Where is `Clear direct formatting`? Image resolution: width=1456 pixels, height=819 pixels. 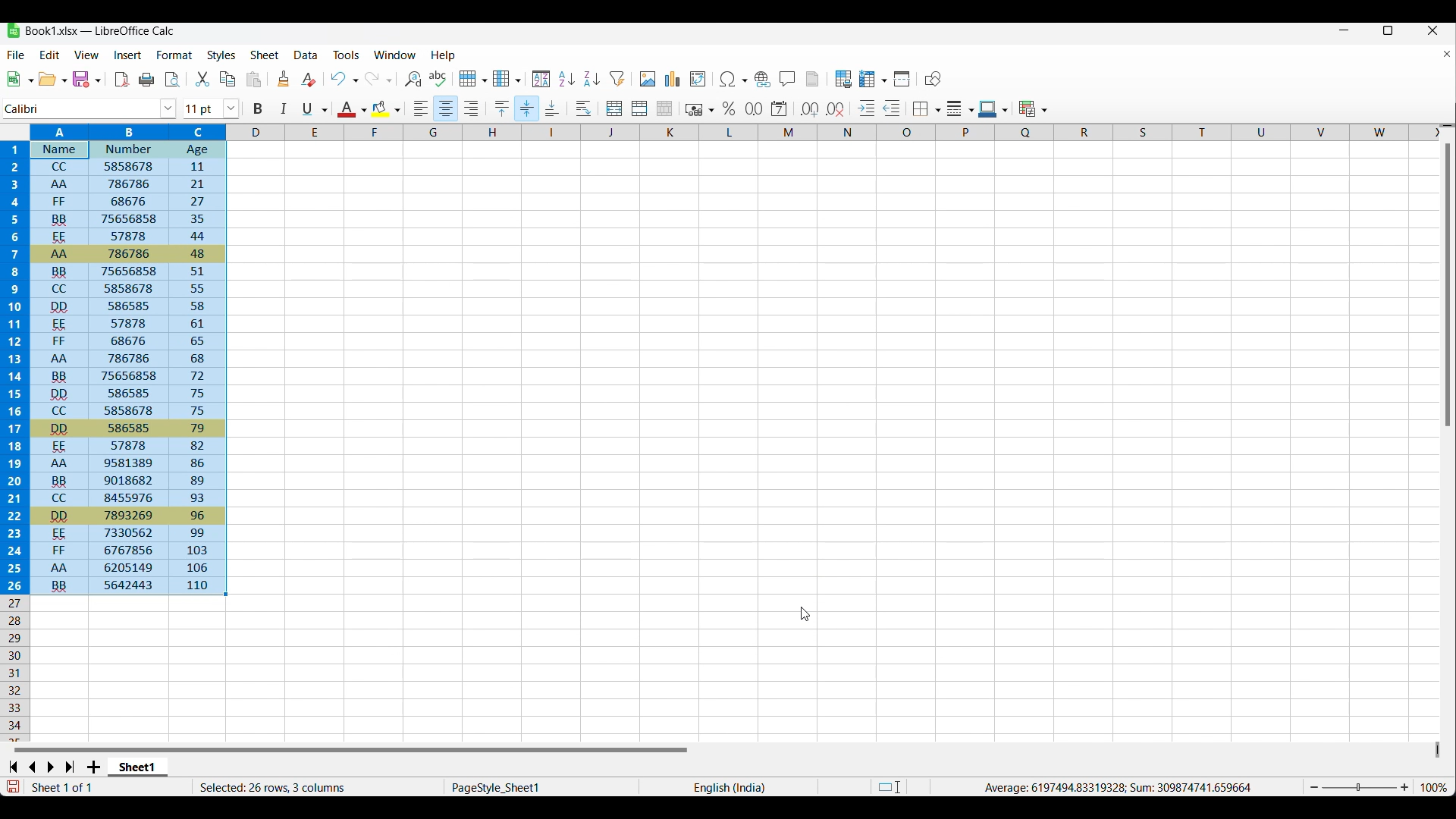
Clear direct formatting is located at coordinates (309, 79).